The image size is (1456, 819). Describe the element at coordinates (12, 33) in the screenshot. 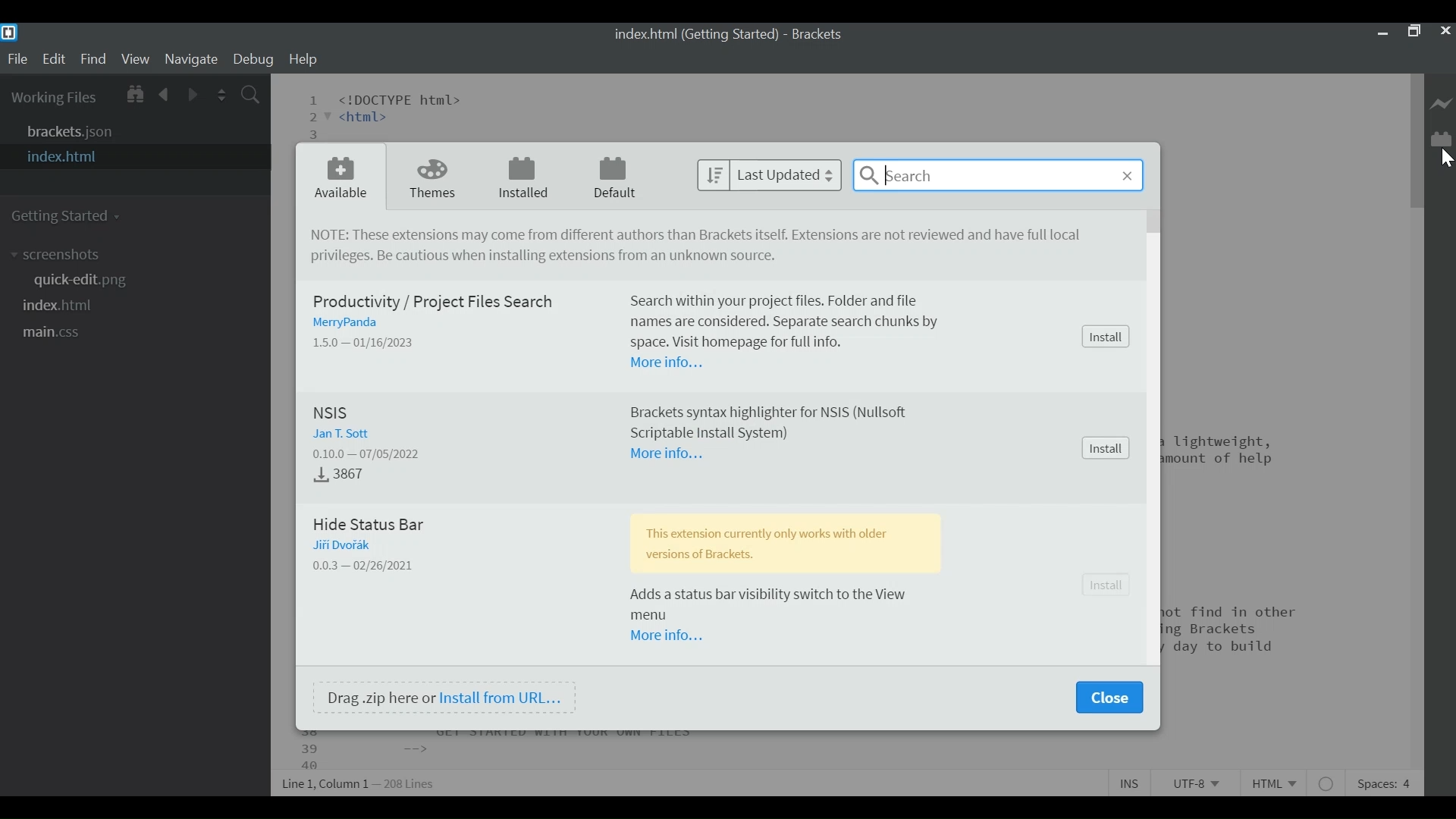

I see `Brackets Desktop Icon` at that location.